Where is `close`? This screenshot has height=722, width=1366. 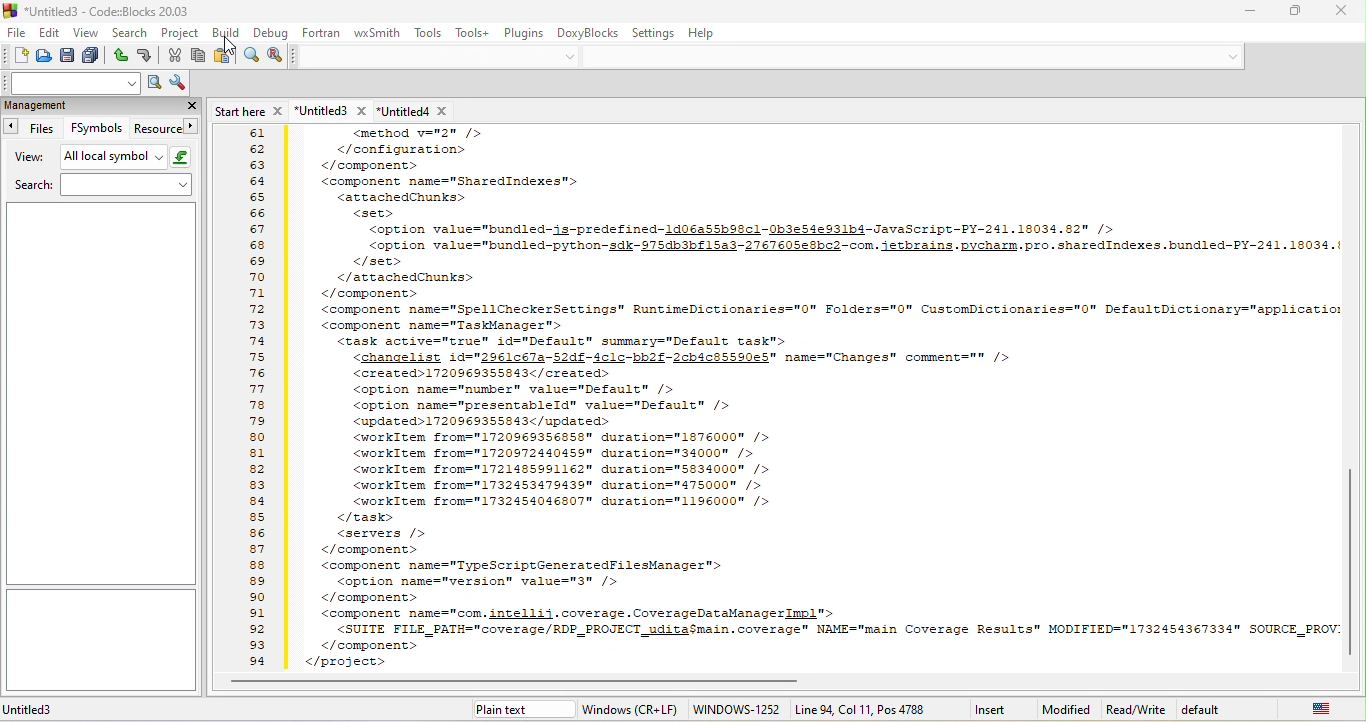 close is located at coordinates (1343, 13).